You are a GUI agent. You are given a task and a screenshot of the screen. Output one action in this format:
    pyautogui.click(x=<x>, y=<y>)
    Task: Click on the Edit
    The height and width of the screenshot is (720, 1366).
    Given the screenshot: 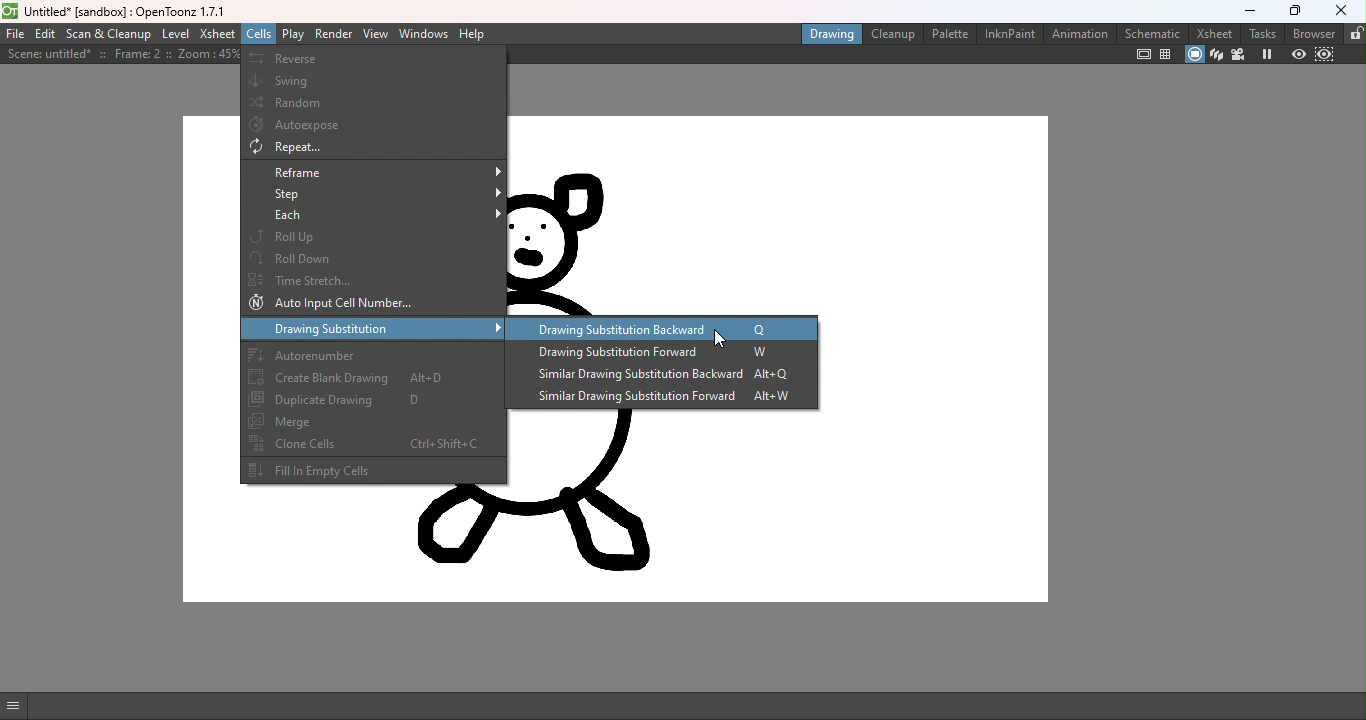 What is the action you would take?
    pyautogui.click(x=45, y=35)
    